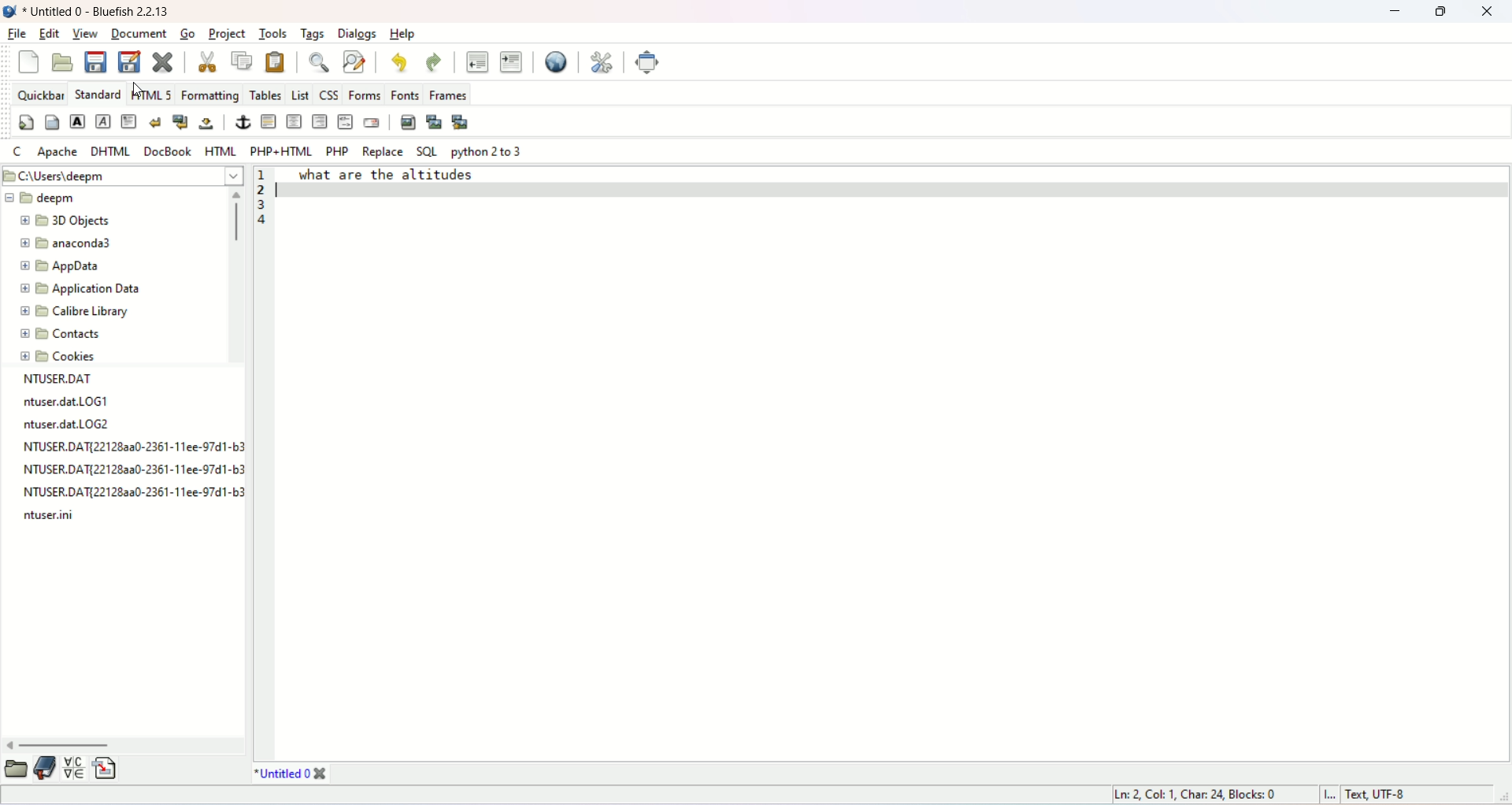  Describe the element at coordinates (292, 774) in the screenshot. I see `title` at that location.